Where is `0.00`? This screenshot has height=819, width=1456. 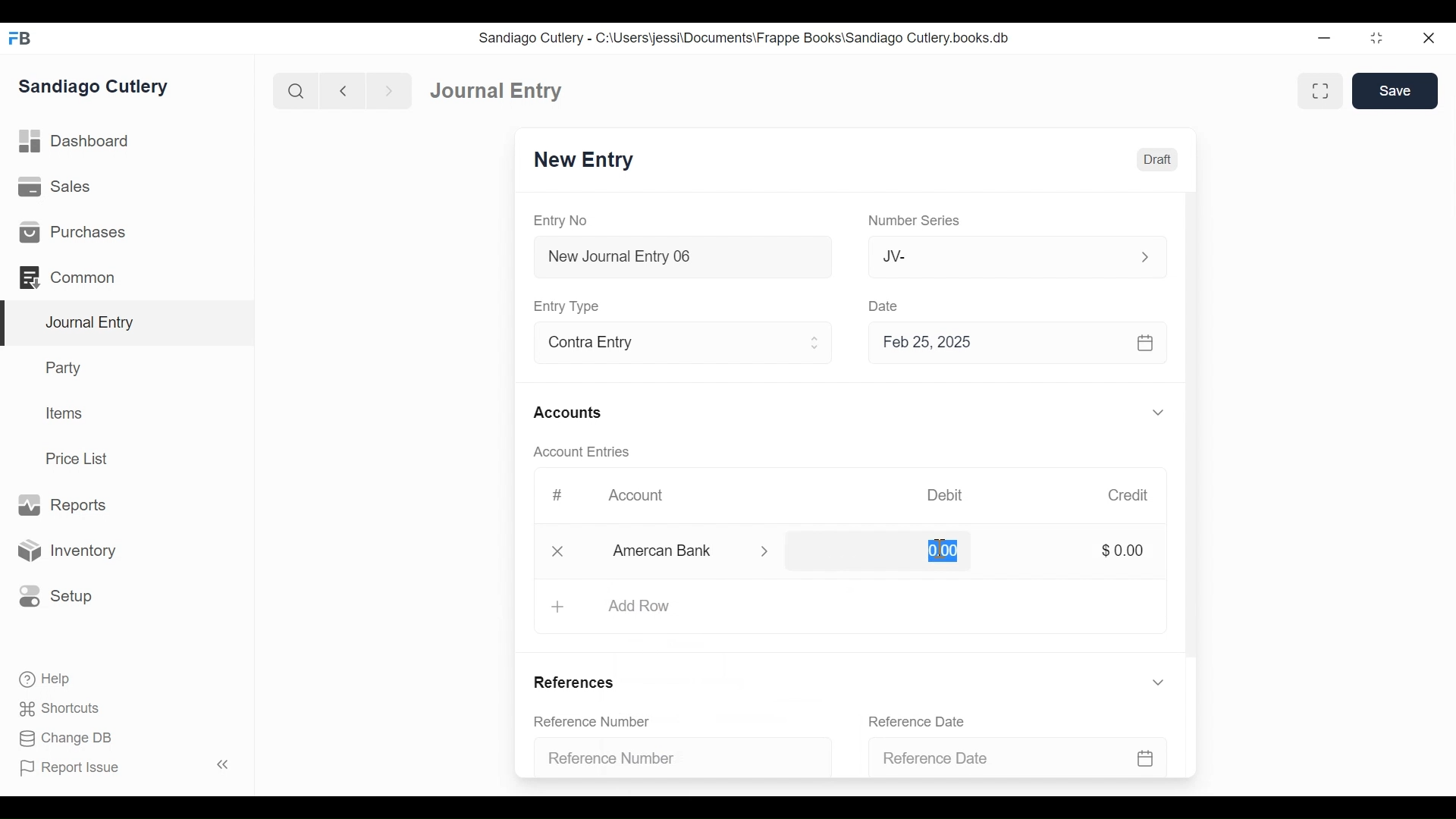 0.00 is located at coordinates (940, 551).